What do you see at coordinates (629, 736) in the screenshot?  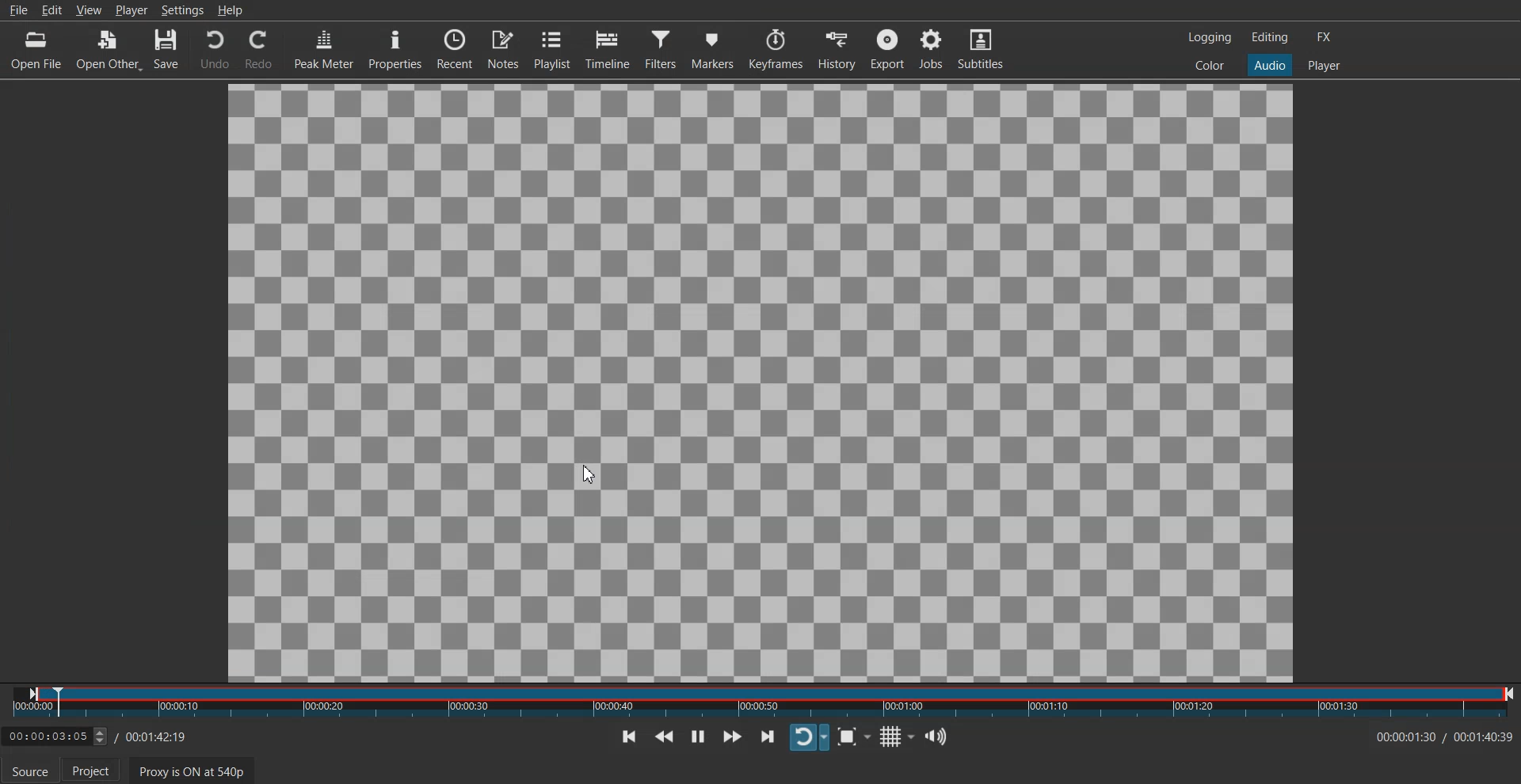 I see `Skip To previous point` at bounding box center [629, 736].